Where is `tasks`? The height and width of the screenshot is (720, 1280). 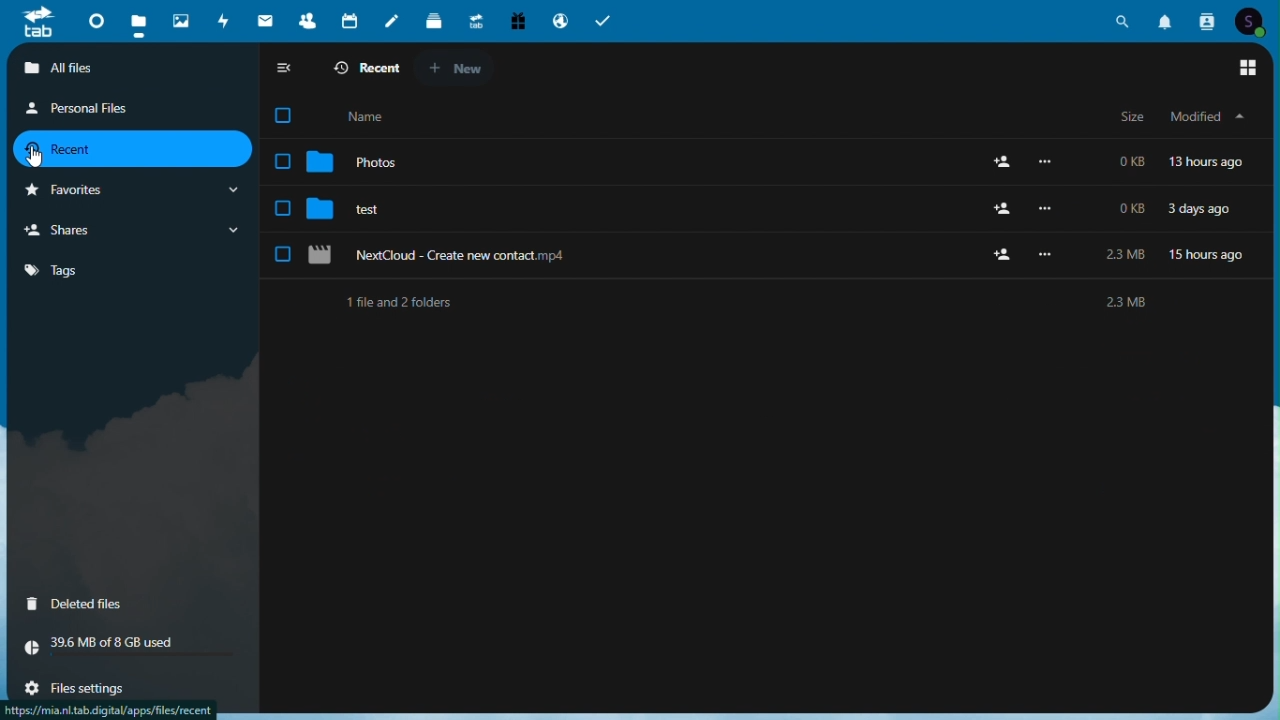
tasks is located at coordinates (605, 21).